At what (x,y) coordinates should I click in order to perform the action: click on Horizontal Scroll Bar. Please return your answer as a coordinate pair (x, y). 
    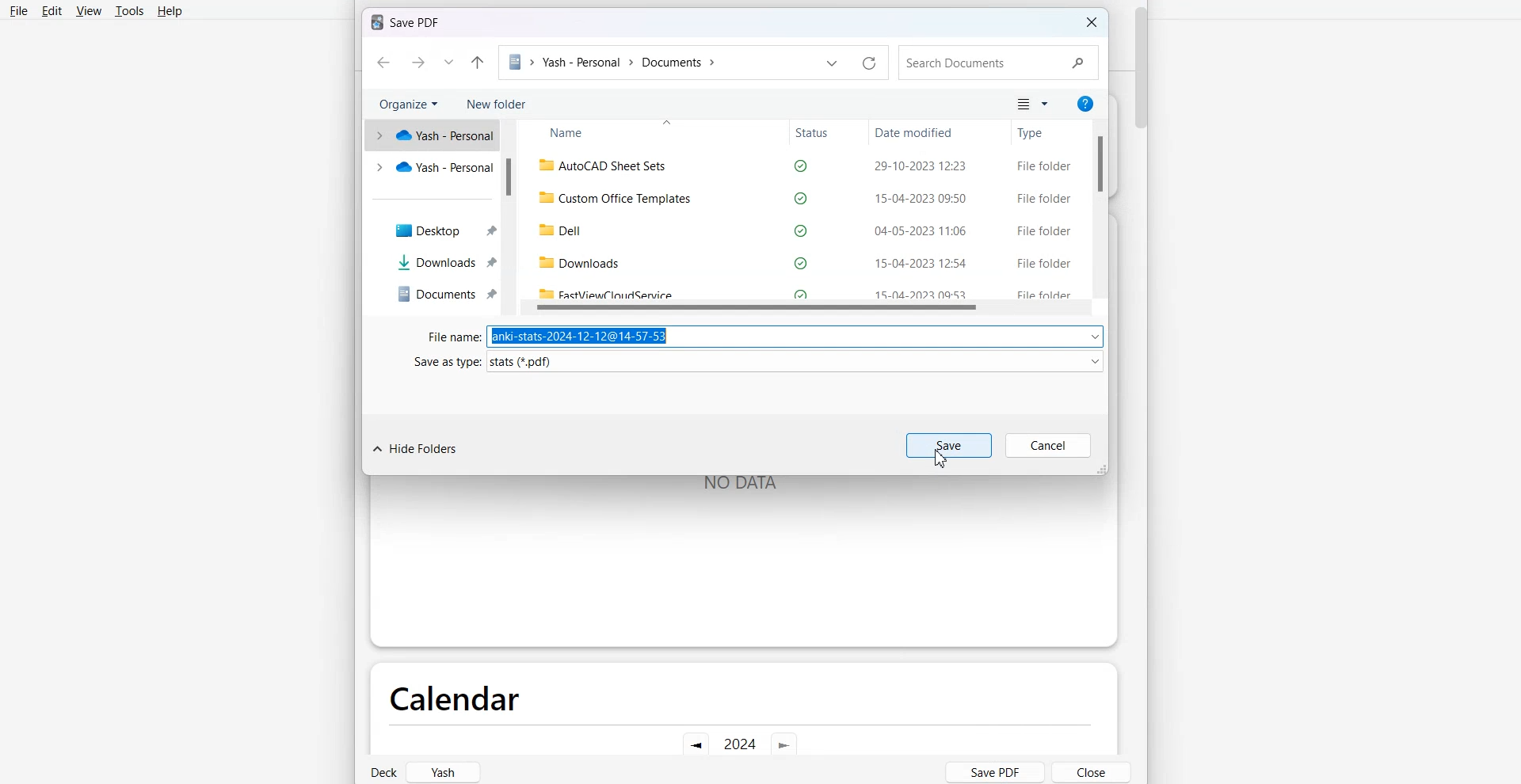
    Looking at the image, I should click on (805, 312).